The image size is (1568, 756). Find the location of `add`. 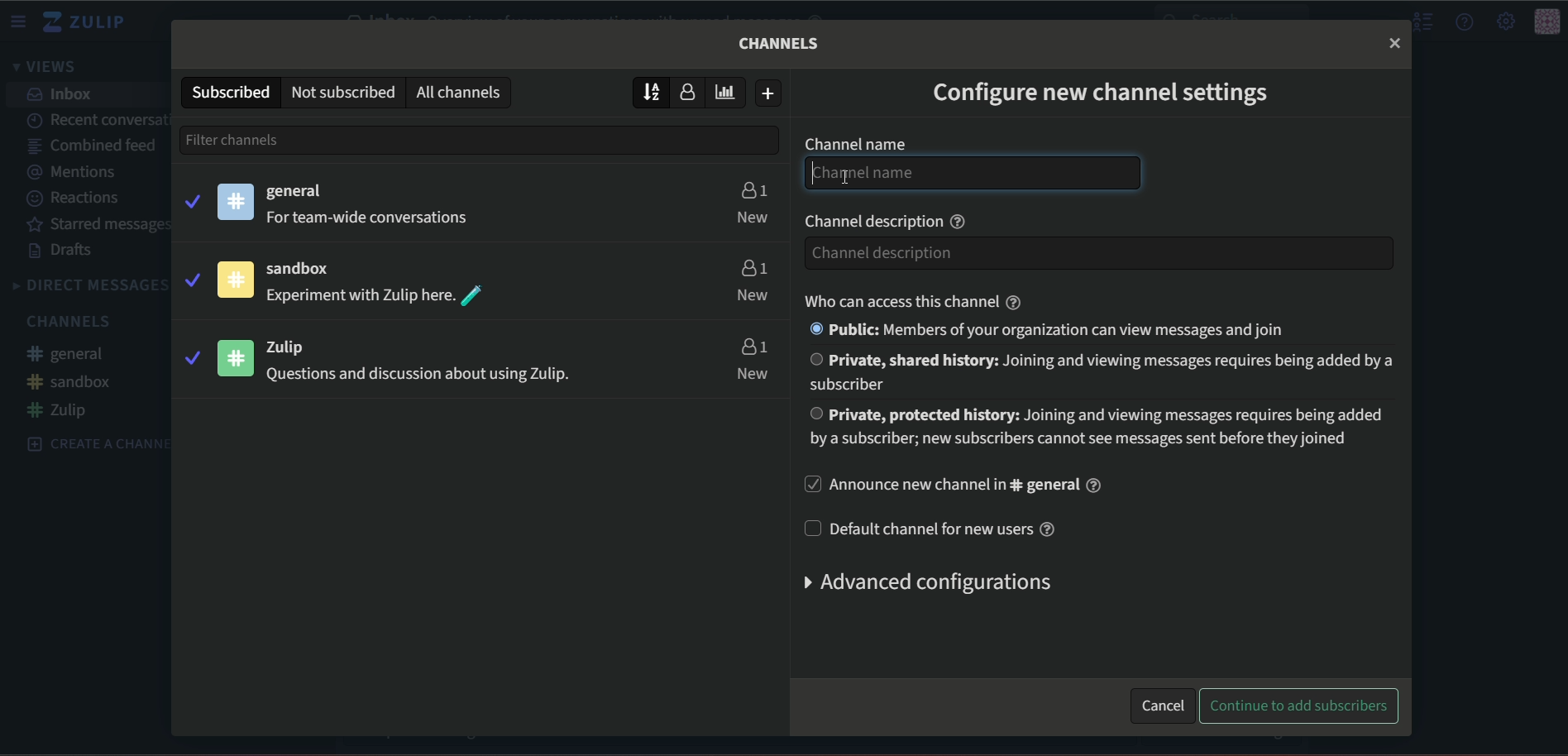

add is located at coordinates (770, 93).